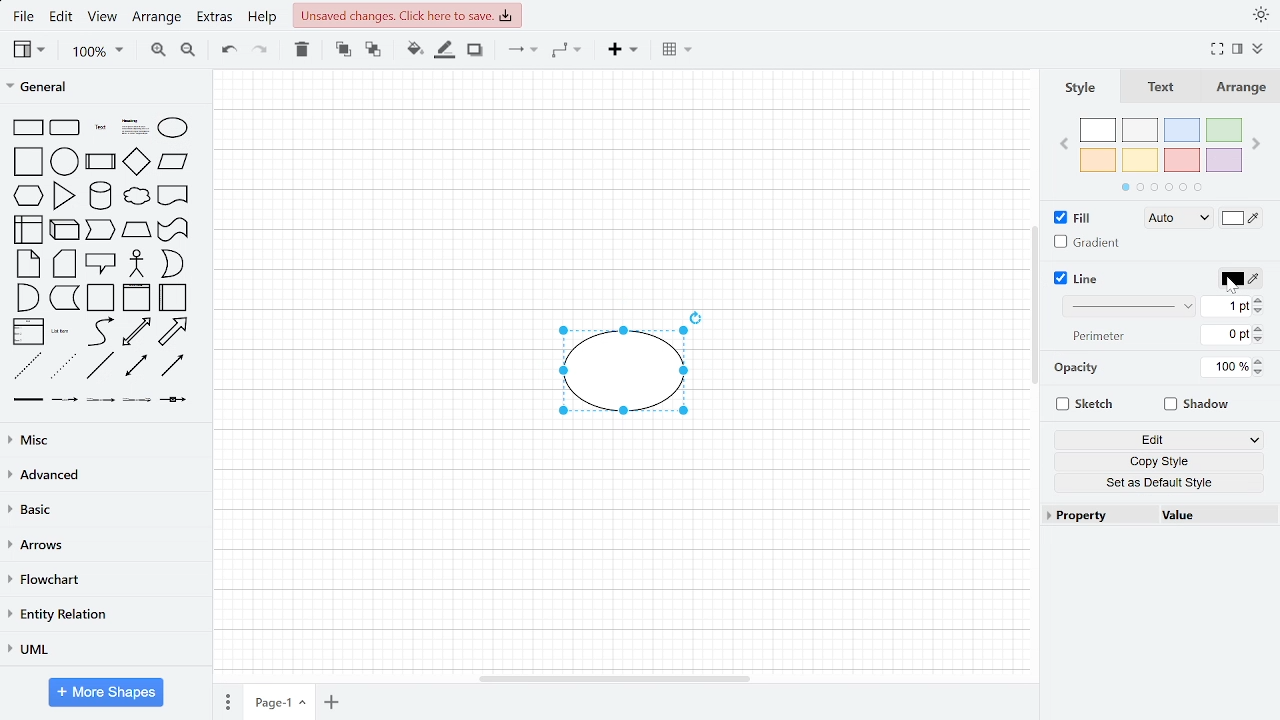 This screenshot has width=1280, height=720. What do you see at coordinates (674, 50) in the screenshot?
I see `Table` at bounding box center [674, 50].